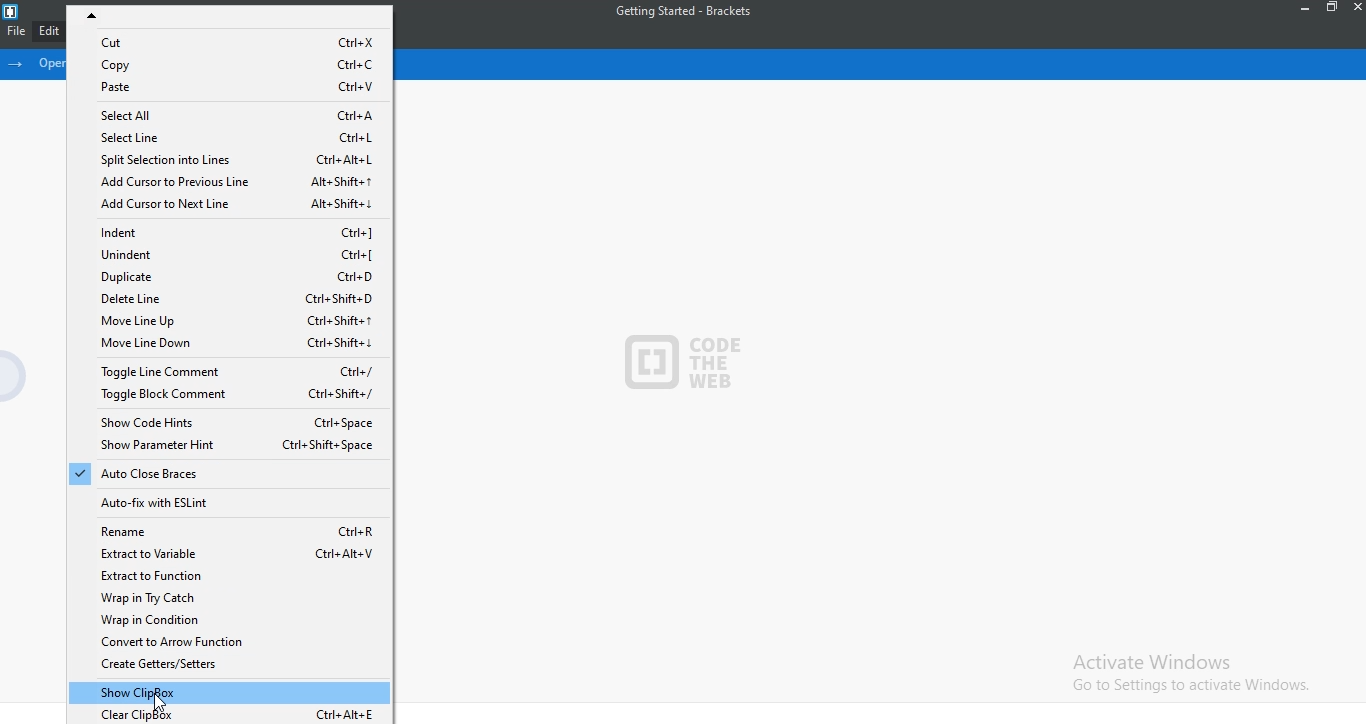 Image resolution: width=1366 pixels, height=724 pixels. Describe the element at coordinates (232, 553) in the screenshot. I see `Extract to Variable` at that location.